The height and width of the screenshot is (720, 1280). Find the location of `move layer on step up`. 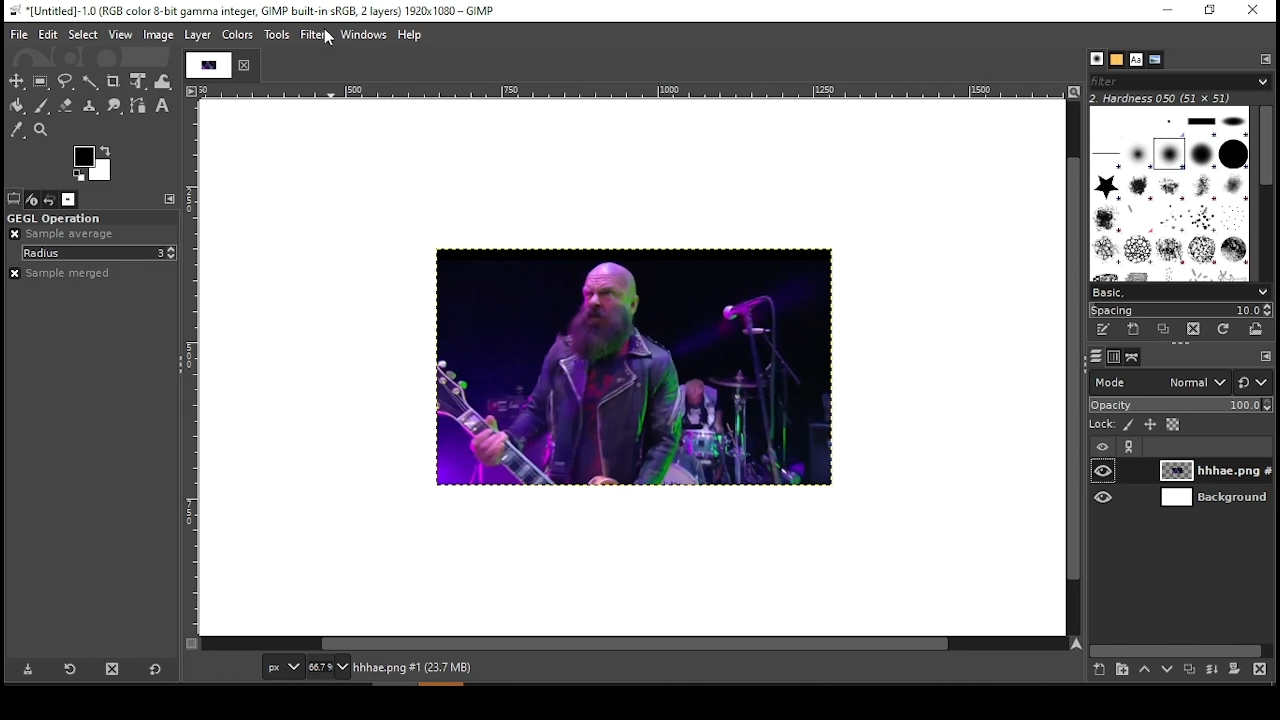

move layer on step up is located at coordinates (1148, 670).